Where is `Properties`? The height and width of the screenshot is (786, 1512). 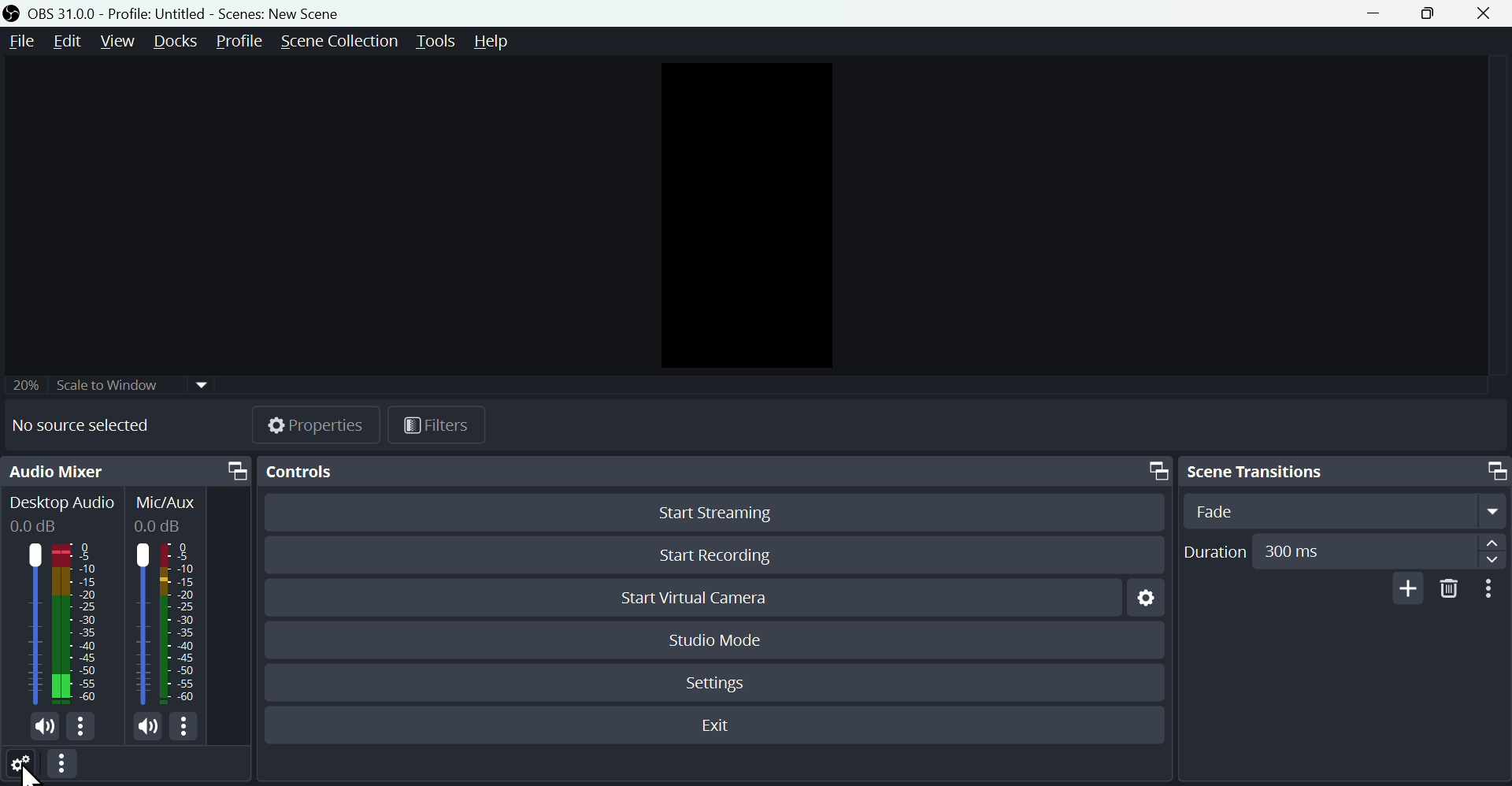
Properties is located at coordinates (317, 424).